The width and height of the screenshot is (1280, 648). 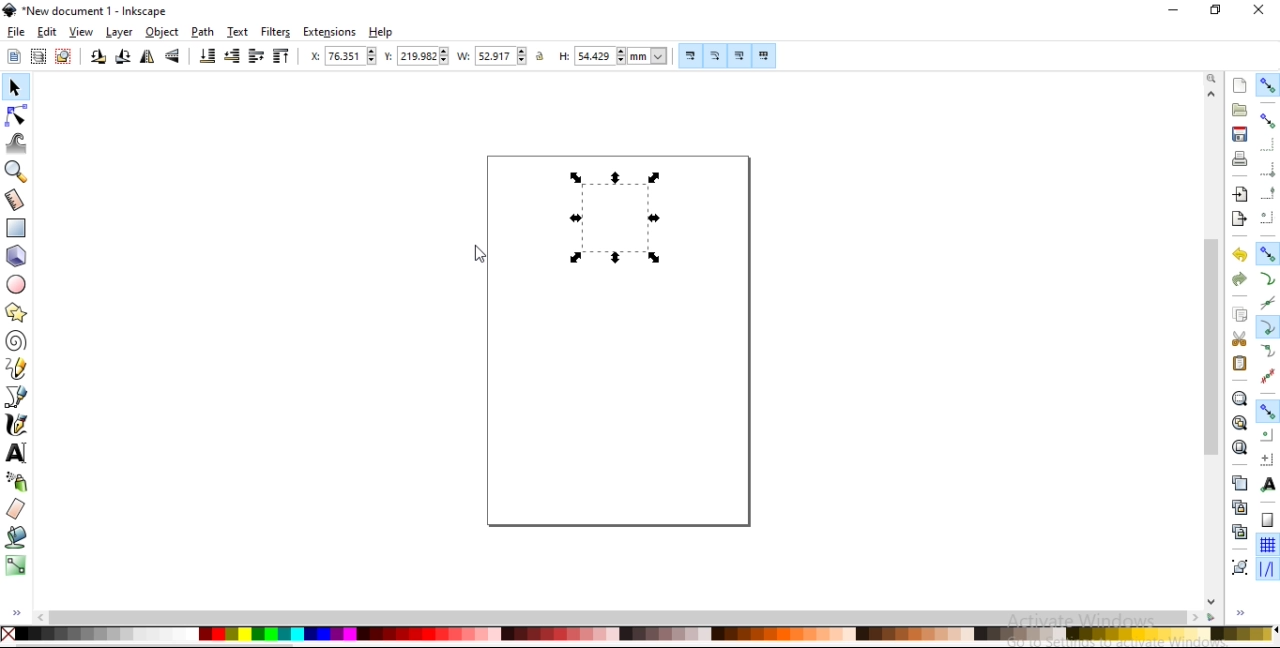 What do you see at coordinates (17, 398) in the screenshot?
I see `draw bezier curves and straight lines` at bounding box center [17, 398].